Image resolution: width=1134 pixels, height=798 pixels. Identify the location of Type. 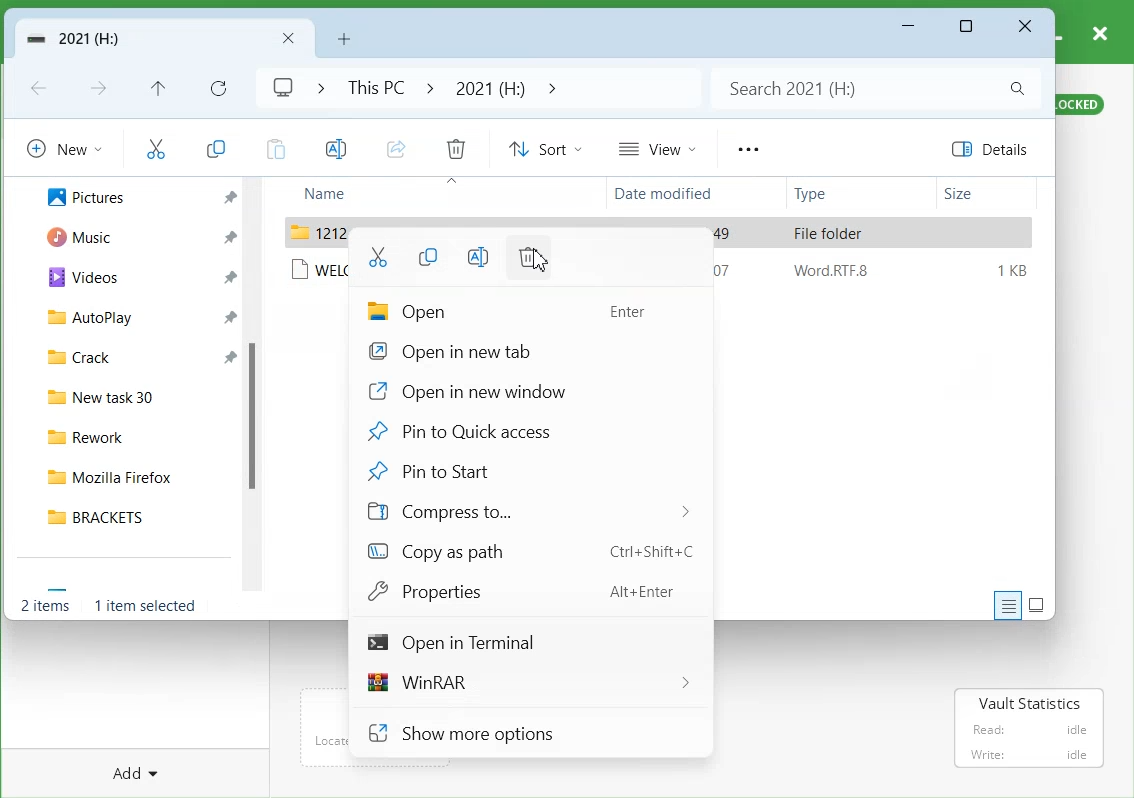
(840, 195).